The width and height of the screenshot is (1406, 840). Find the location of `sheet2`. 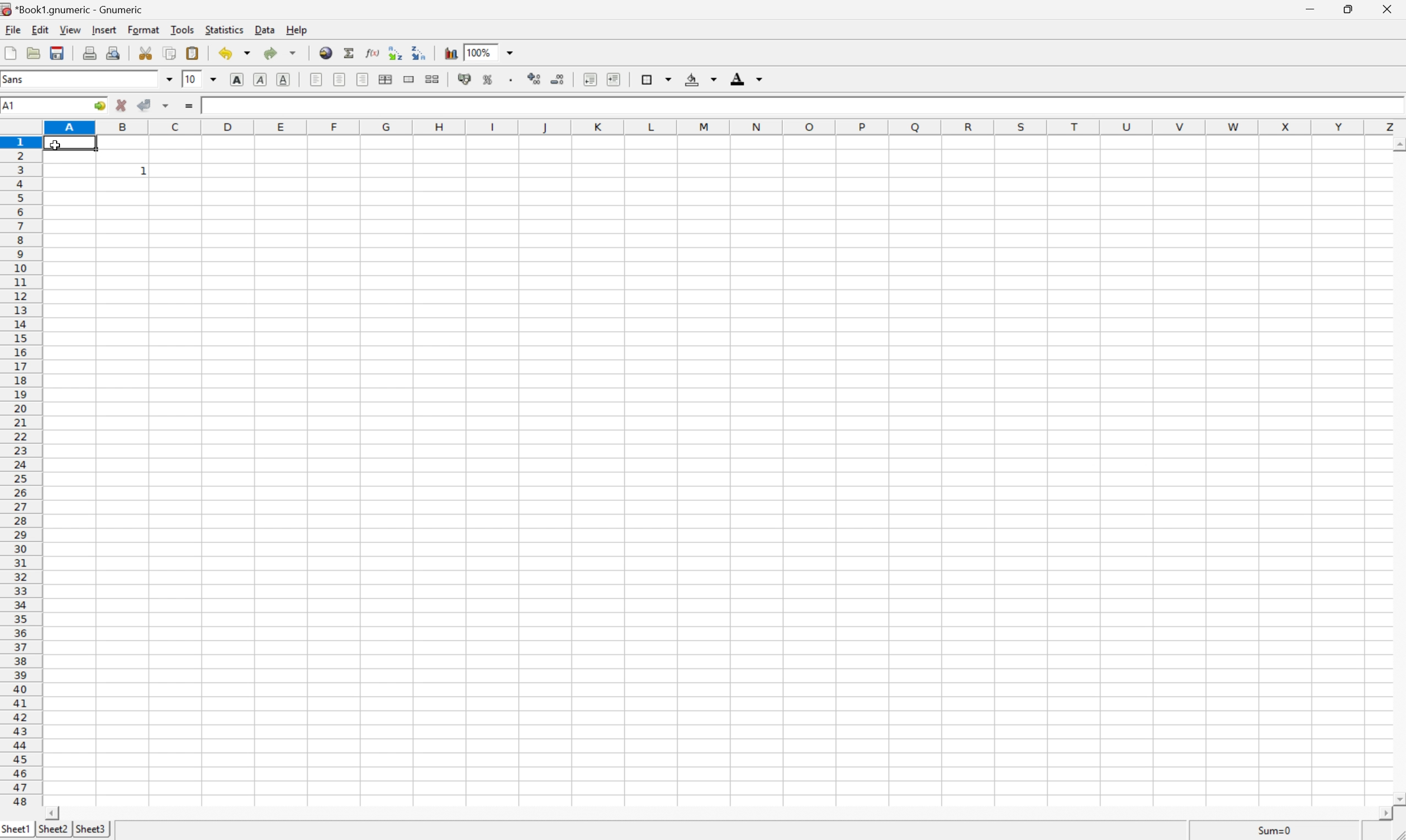

sheet2 is located at coordinates (53, 832).